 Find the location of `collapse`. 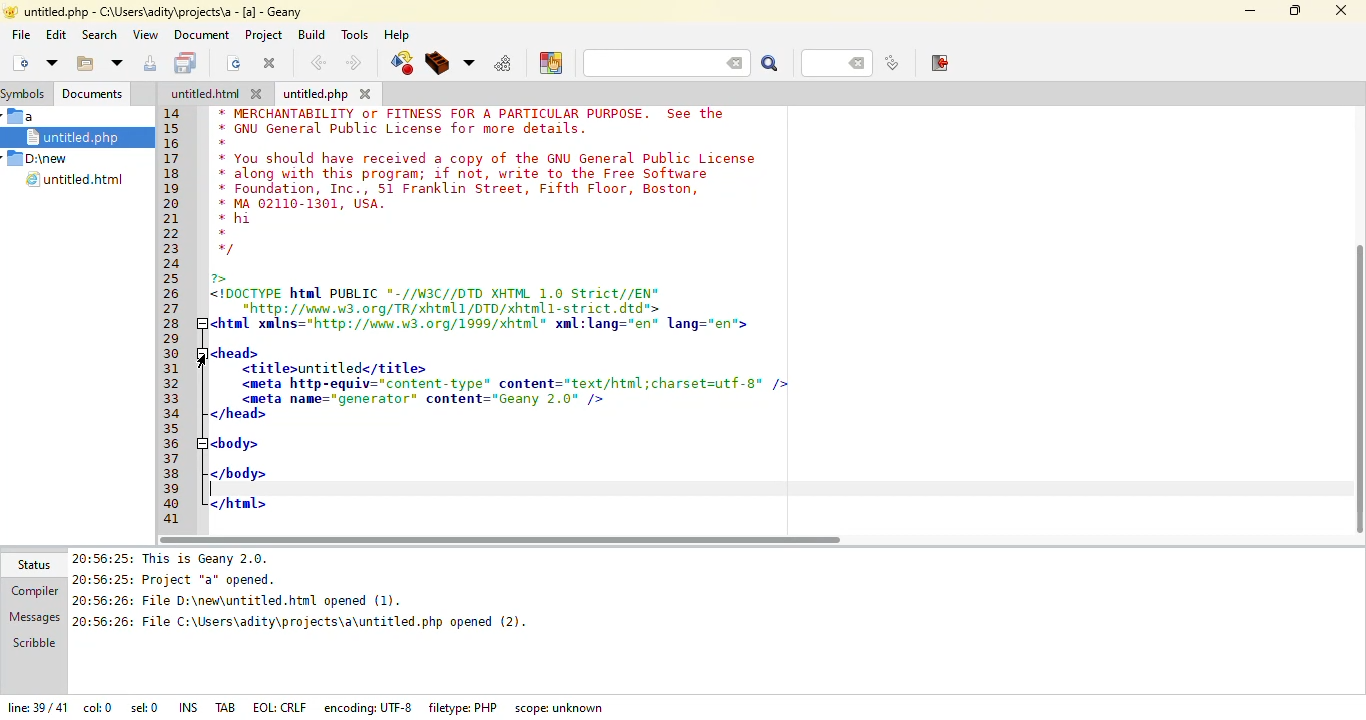

collapse is located at coordinates (205, 354).